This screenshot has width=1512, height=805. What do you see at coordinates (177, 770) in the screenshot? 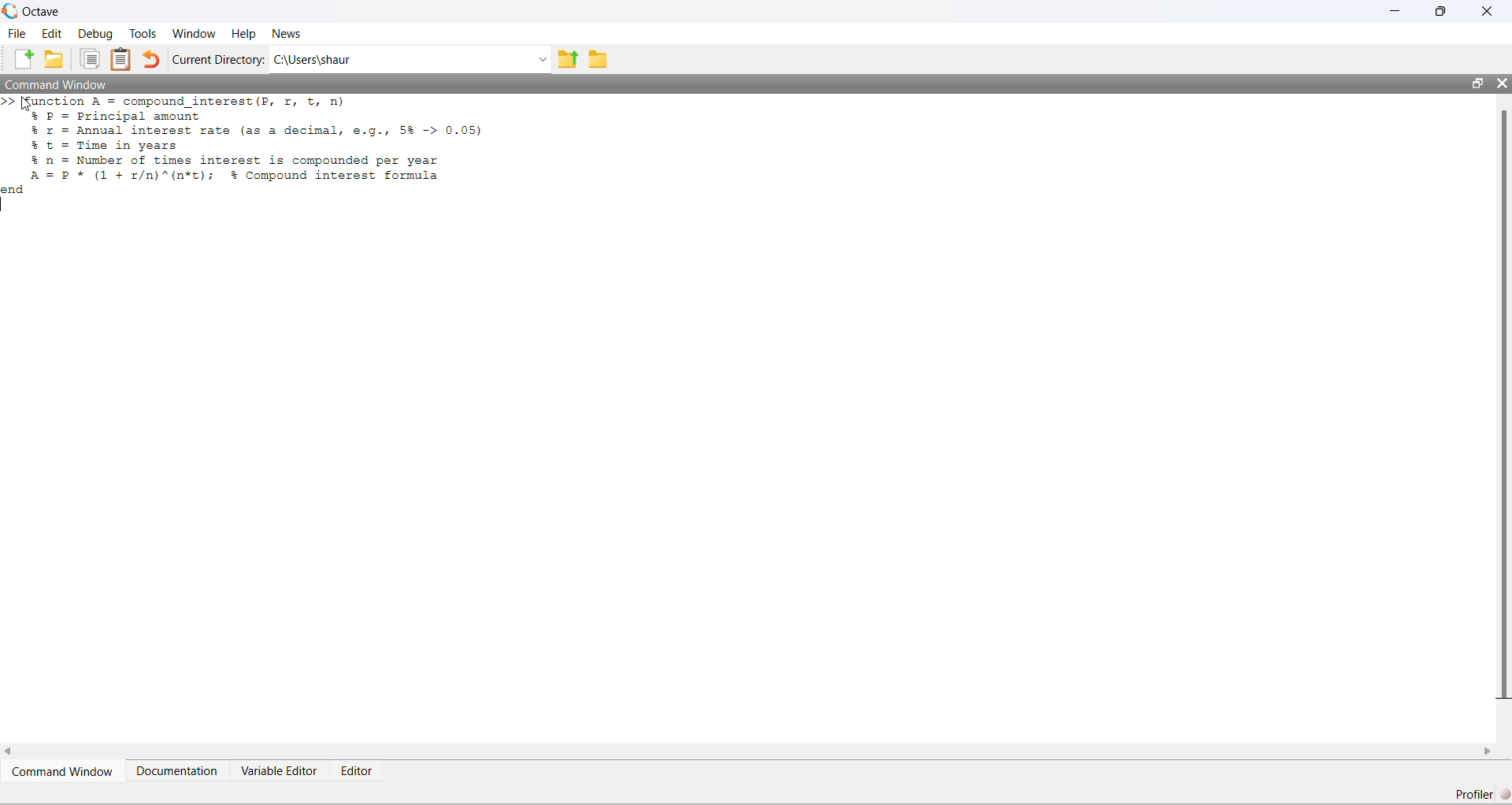
I see `Documentation` at bounding box center [177, 770].